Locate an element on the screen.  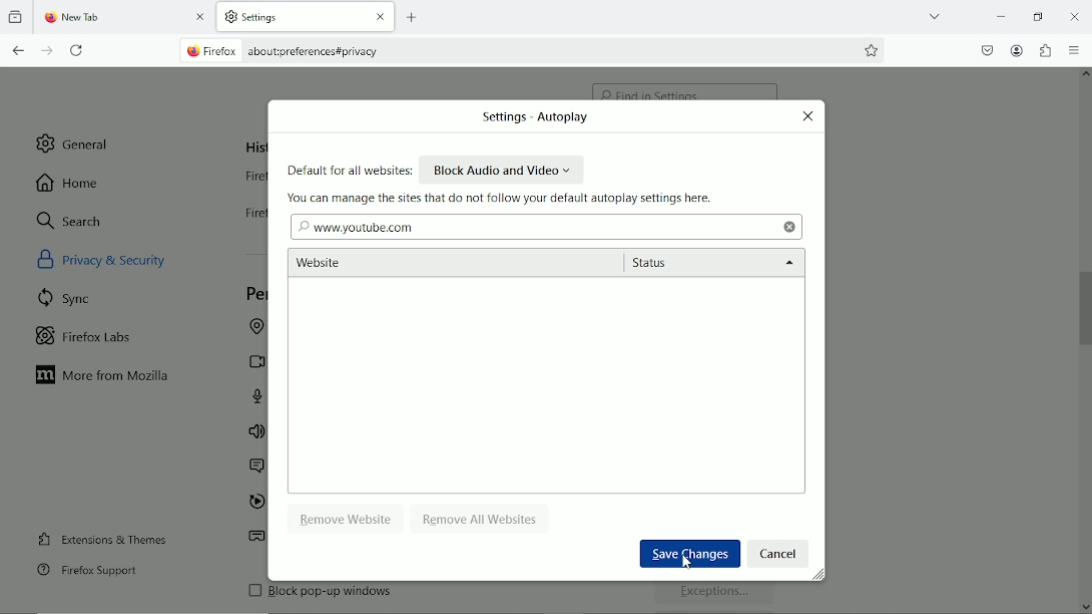
location is located at coordinates (254, 328).